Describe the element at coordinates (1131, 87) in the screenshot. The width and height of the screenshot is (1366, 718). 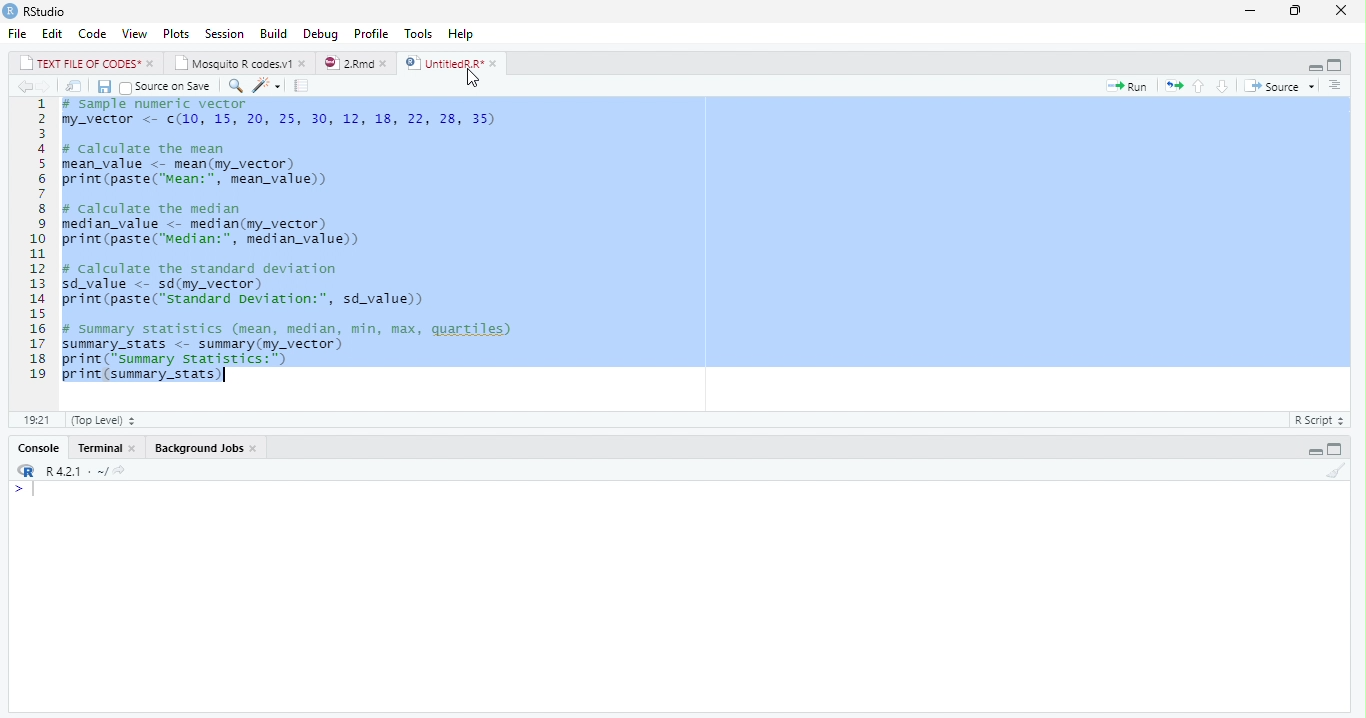
I see `run current file` at that location.